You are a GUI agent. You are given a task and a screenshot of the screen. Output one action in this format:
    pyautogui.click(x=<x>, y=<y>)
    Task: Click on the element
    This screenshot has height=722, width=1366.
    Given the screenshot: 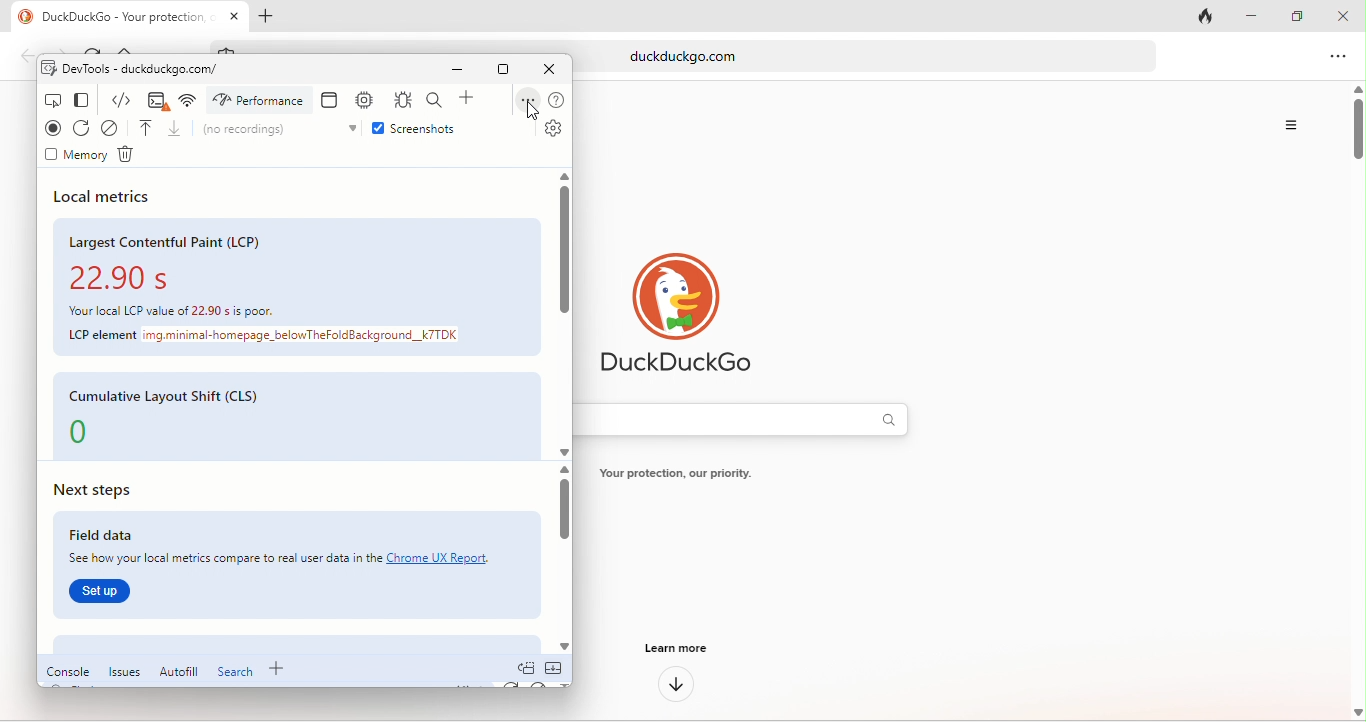 What is the action you would take?
    pyautogui.click(x=120, y=97)
    